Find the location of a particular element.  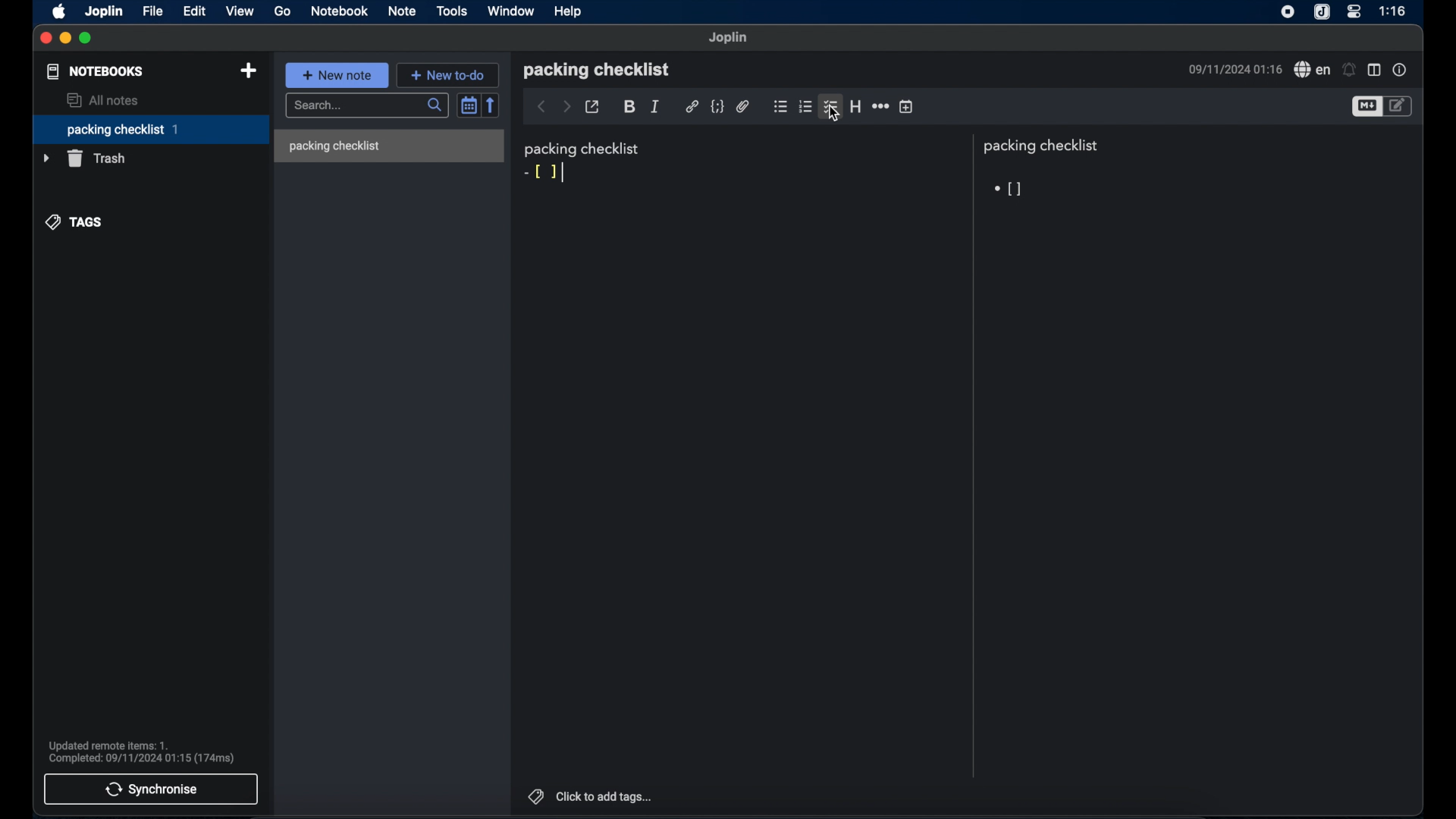

toggle editor layout is located at coordinates (1375, 69).